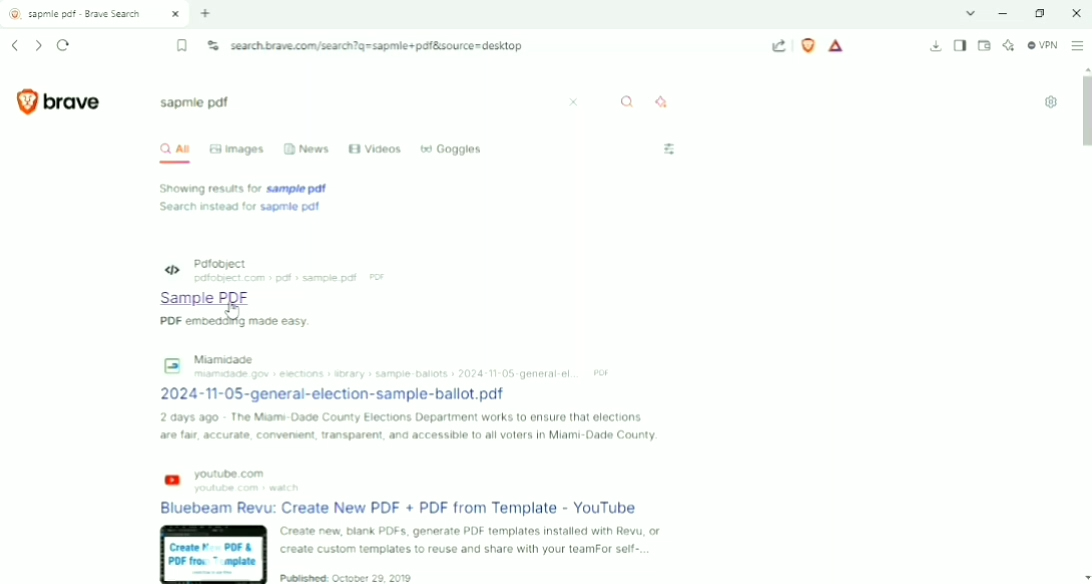 This screenshot has width=1092, height=584. I want to click on All, so click(172, 151).